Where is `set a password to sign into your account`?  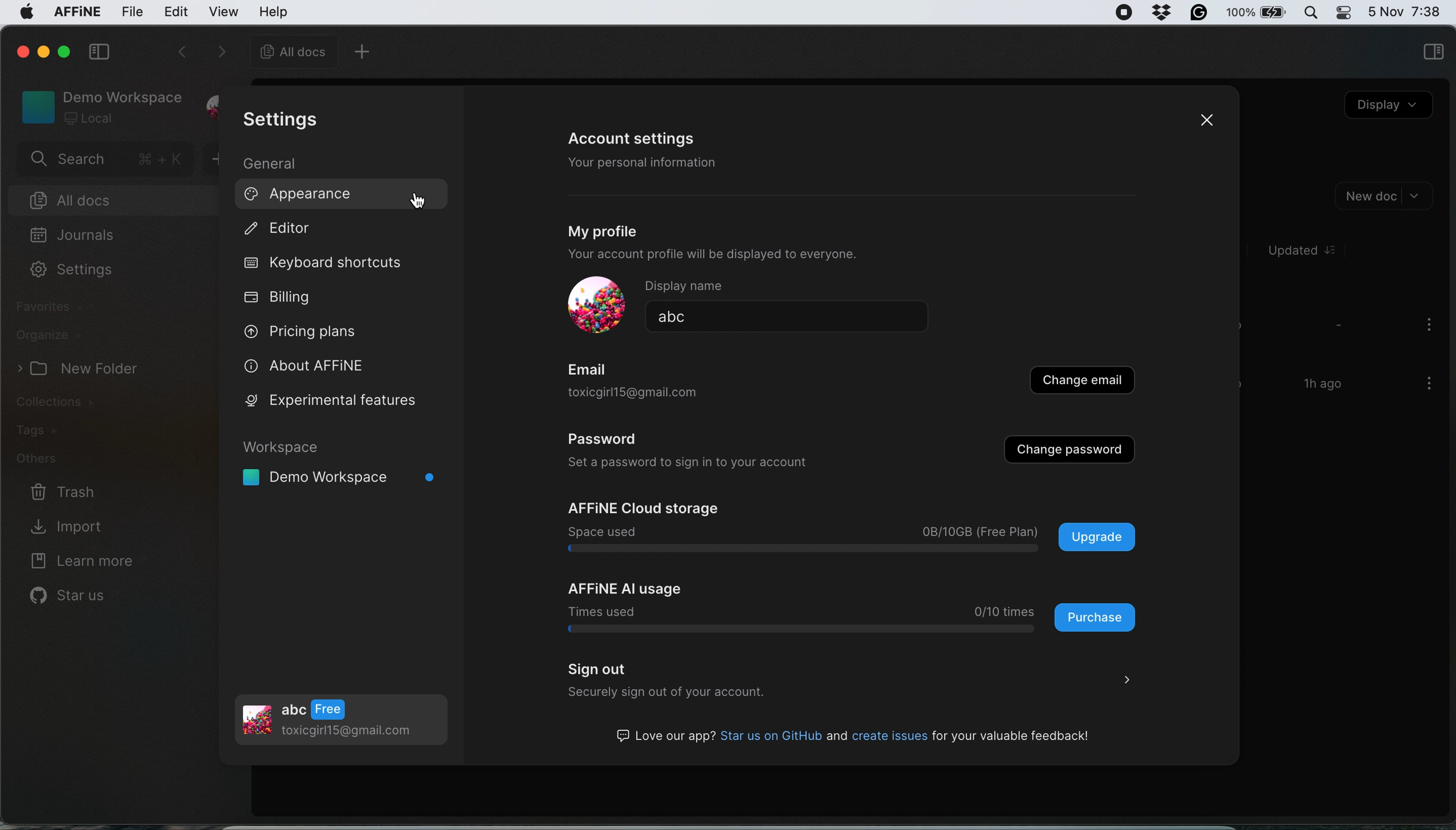 set a password to sign into your account is located at coordinates (709, 462).